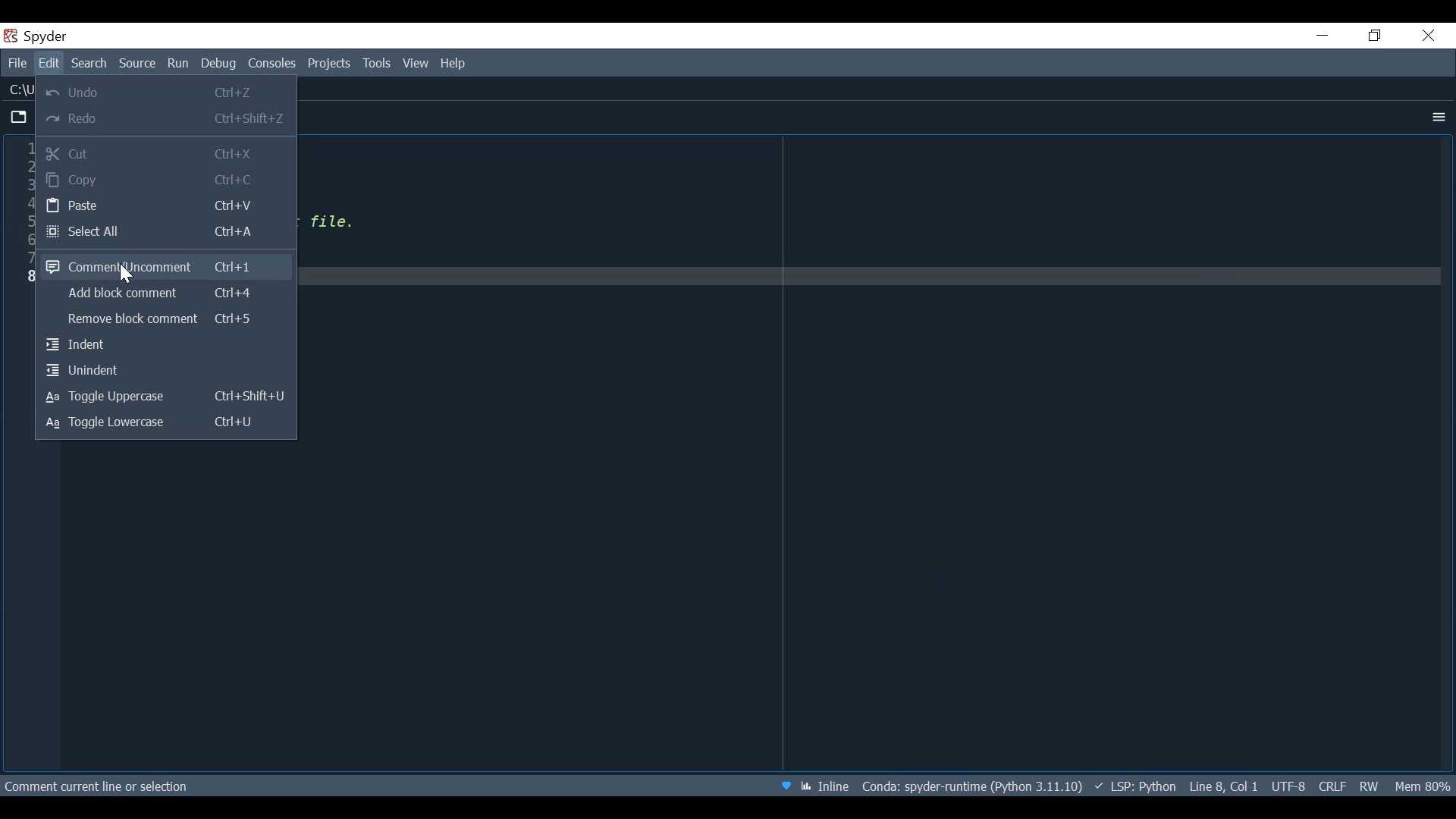  What do you see at coordinates (165, 153) in the screenshot?
I see `Cut` at bounding box center [165, 153].